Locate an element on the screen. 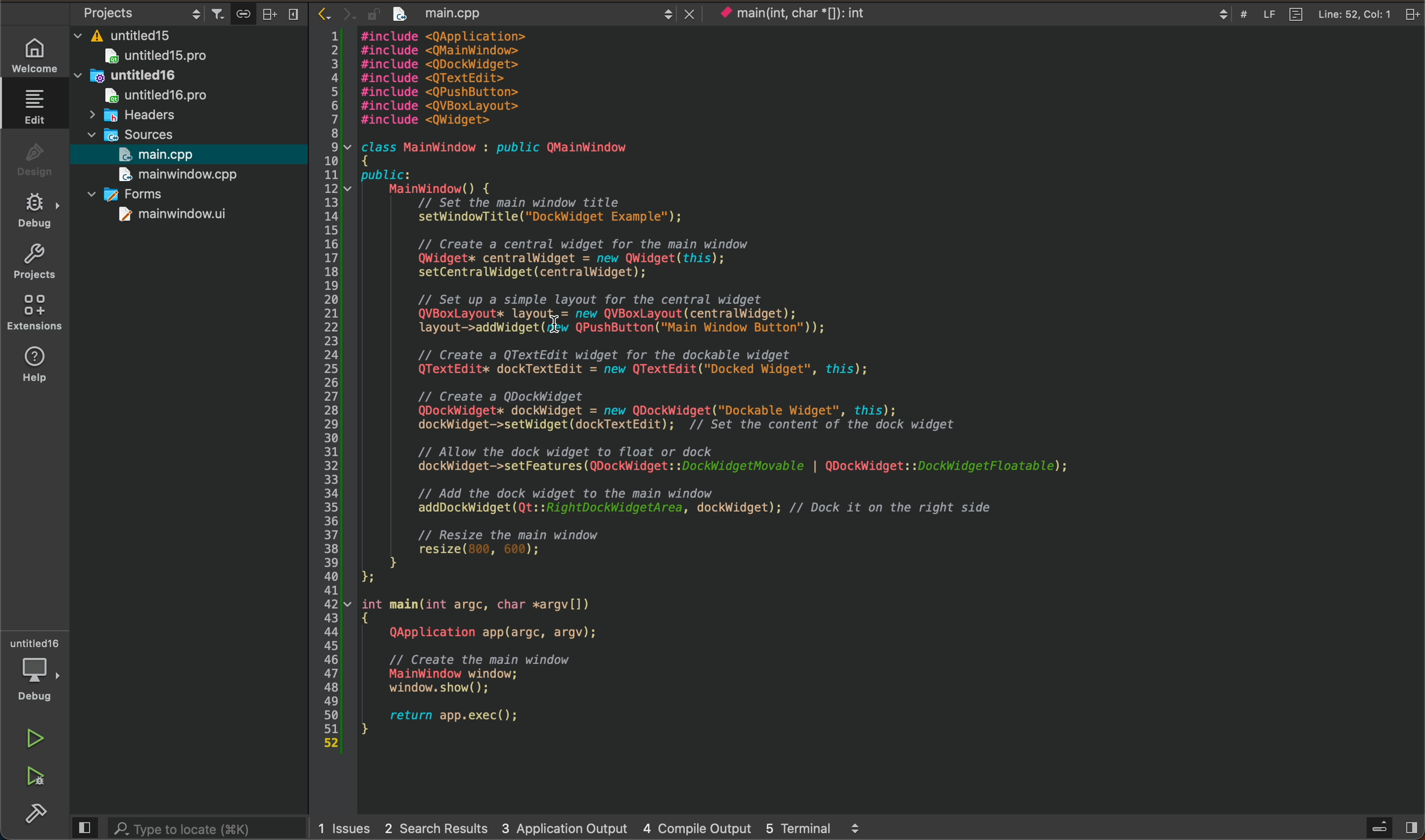 The width and height of the screenshot is (1425, 840). mainwindow is located at coordinates (172, 216).